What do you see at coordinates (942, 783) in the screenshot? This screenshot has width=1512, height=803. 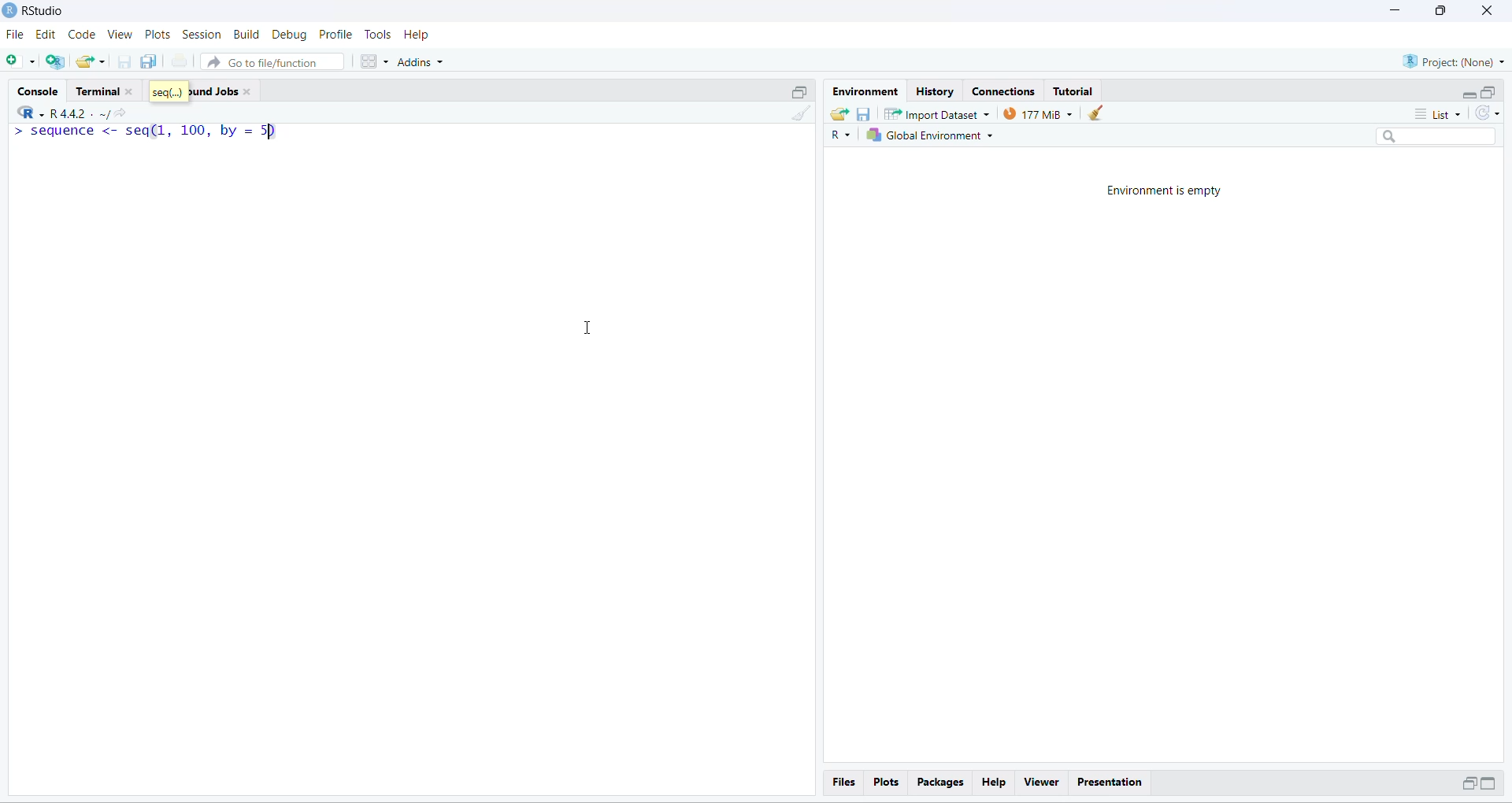 I see `packages` at bounding box center [942, 783].